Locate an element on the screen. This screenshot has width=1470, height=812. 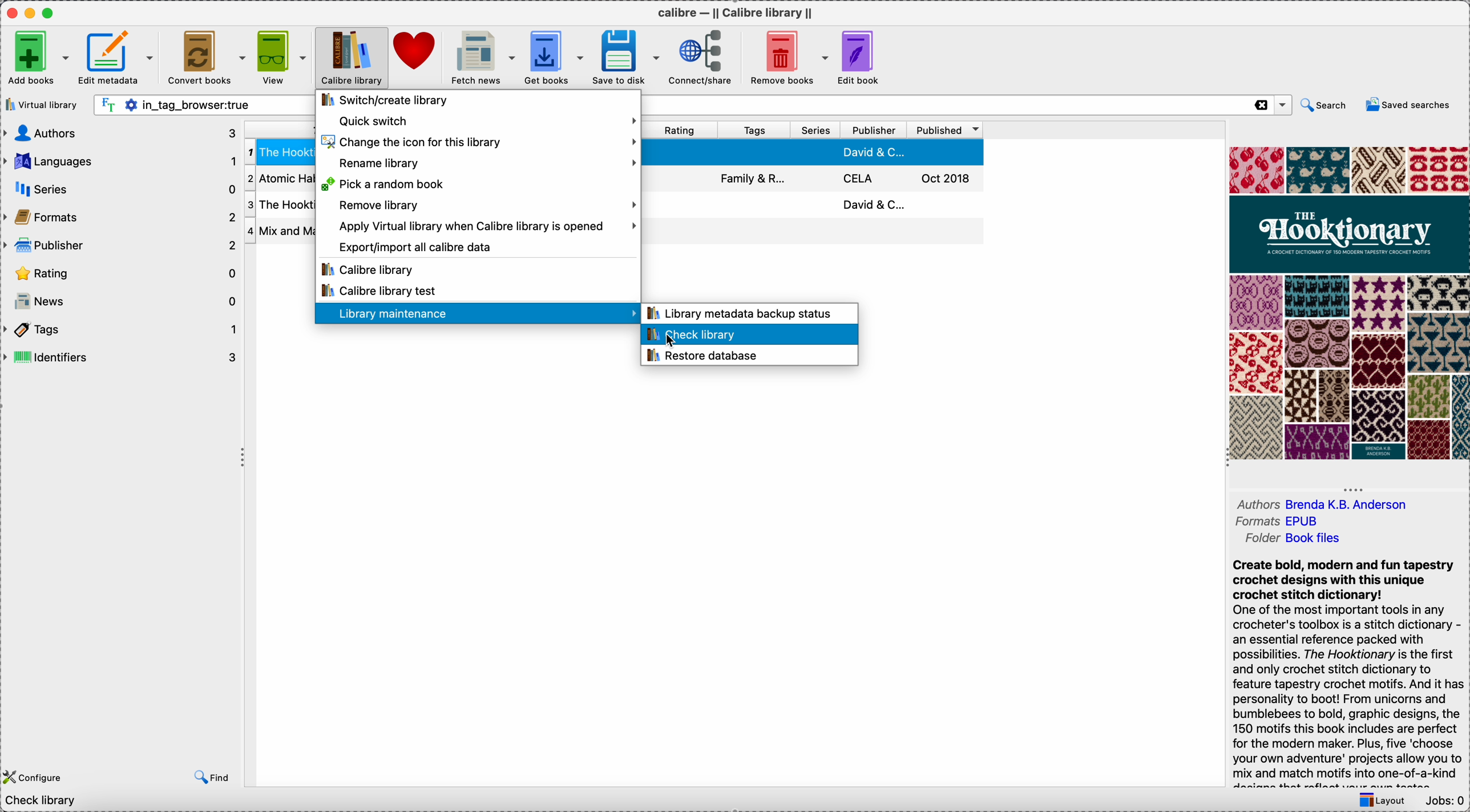
tags is located at coordinates (122, 329).